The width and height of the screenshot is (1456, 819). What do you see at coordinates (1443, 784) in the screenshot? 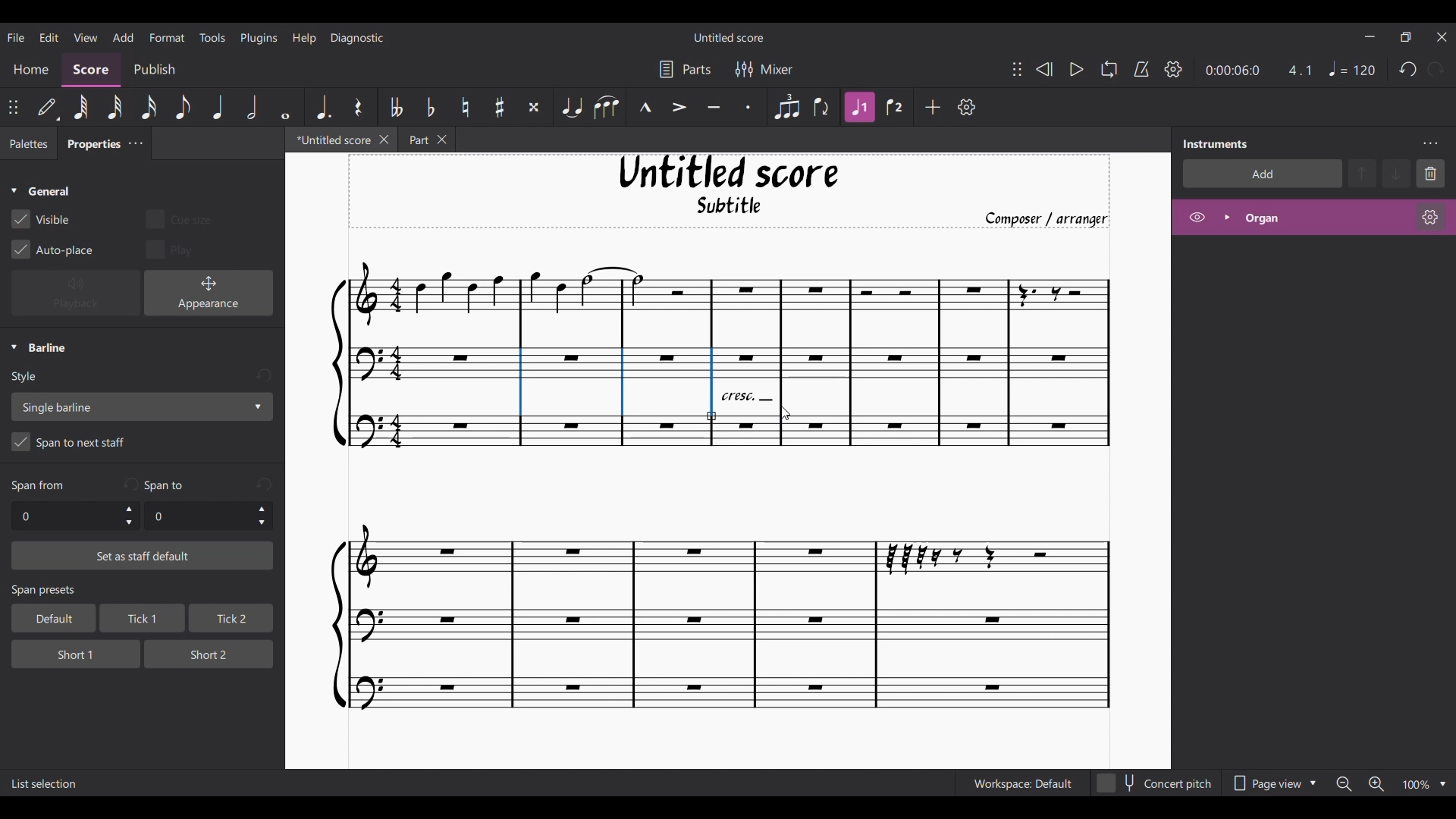
I see `Zoom options` at bounding box center [1443, 784].